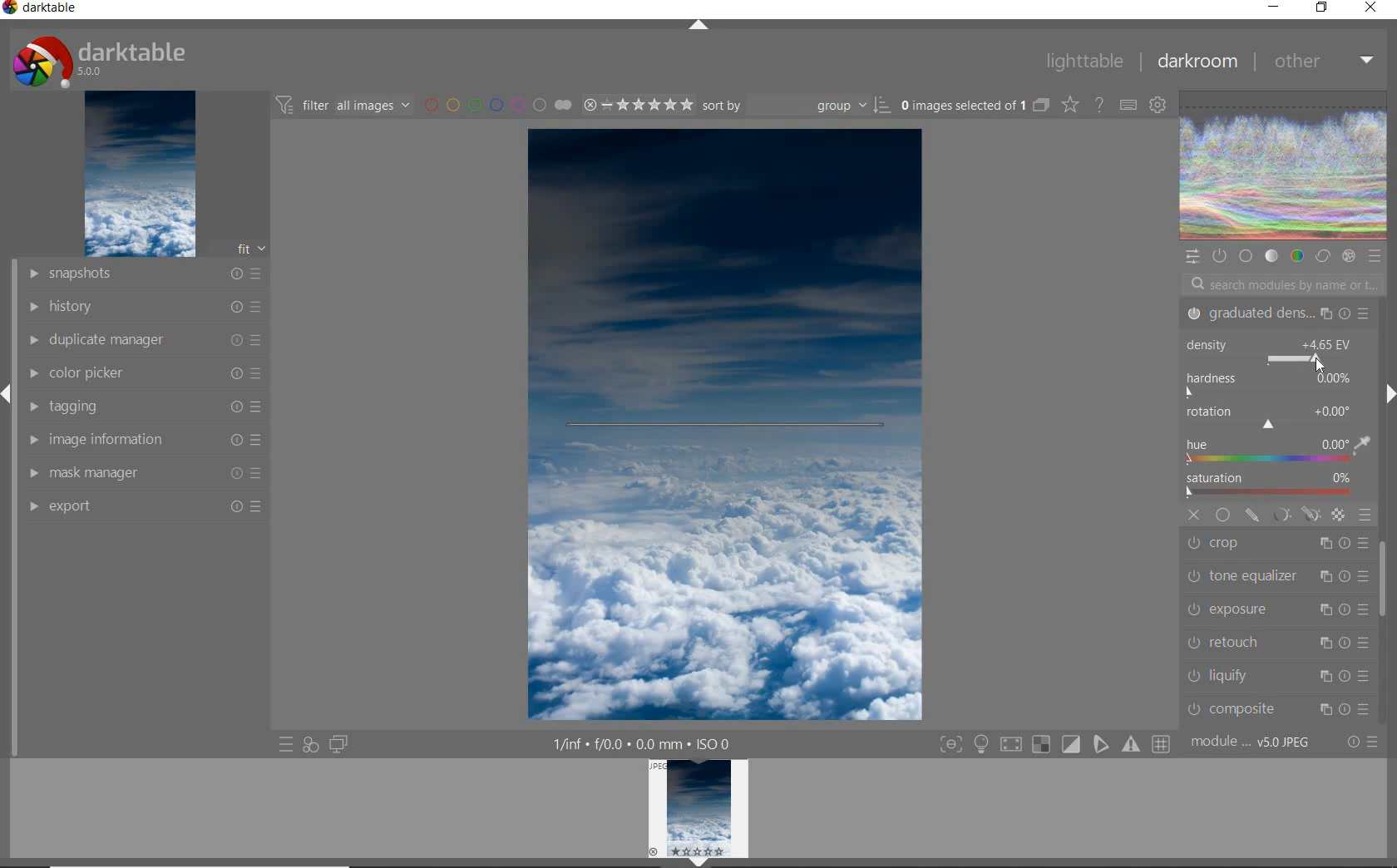 Image resolution: width=1397 pixels, height=868 pixels. I want to click on EFFECT, so click(1349, 256).